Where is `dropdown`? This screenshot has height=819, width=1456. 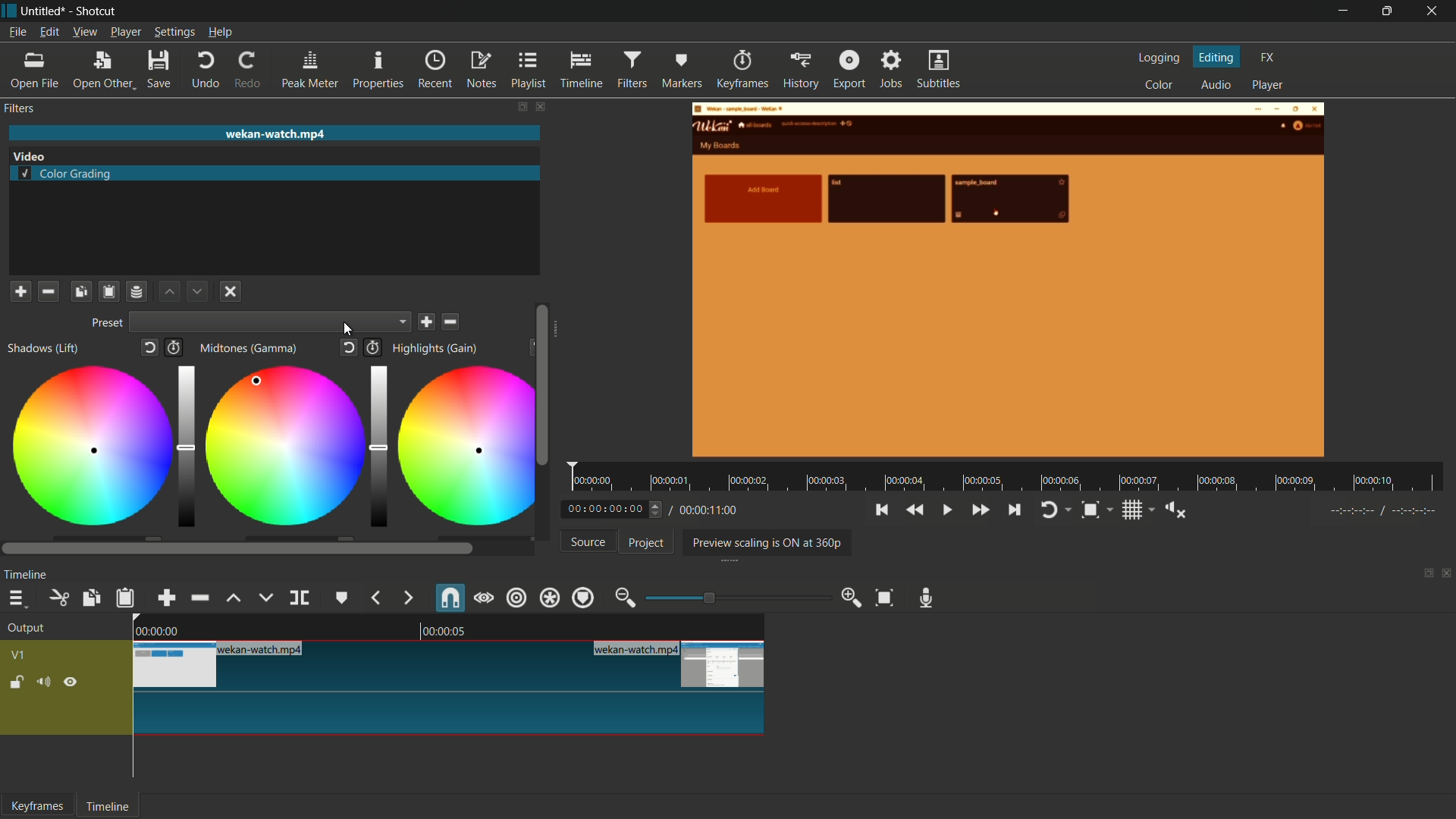 dropdown is located at coordinates (270, 322).